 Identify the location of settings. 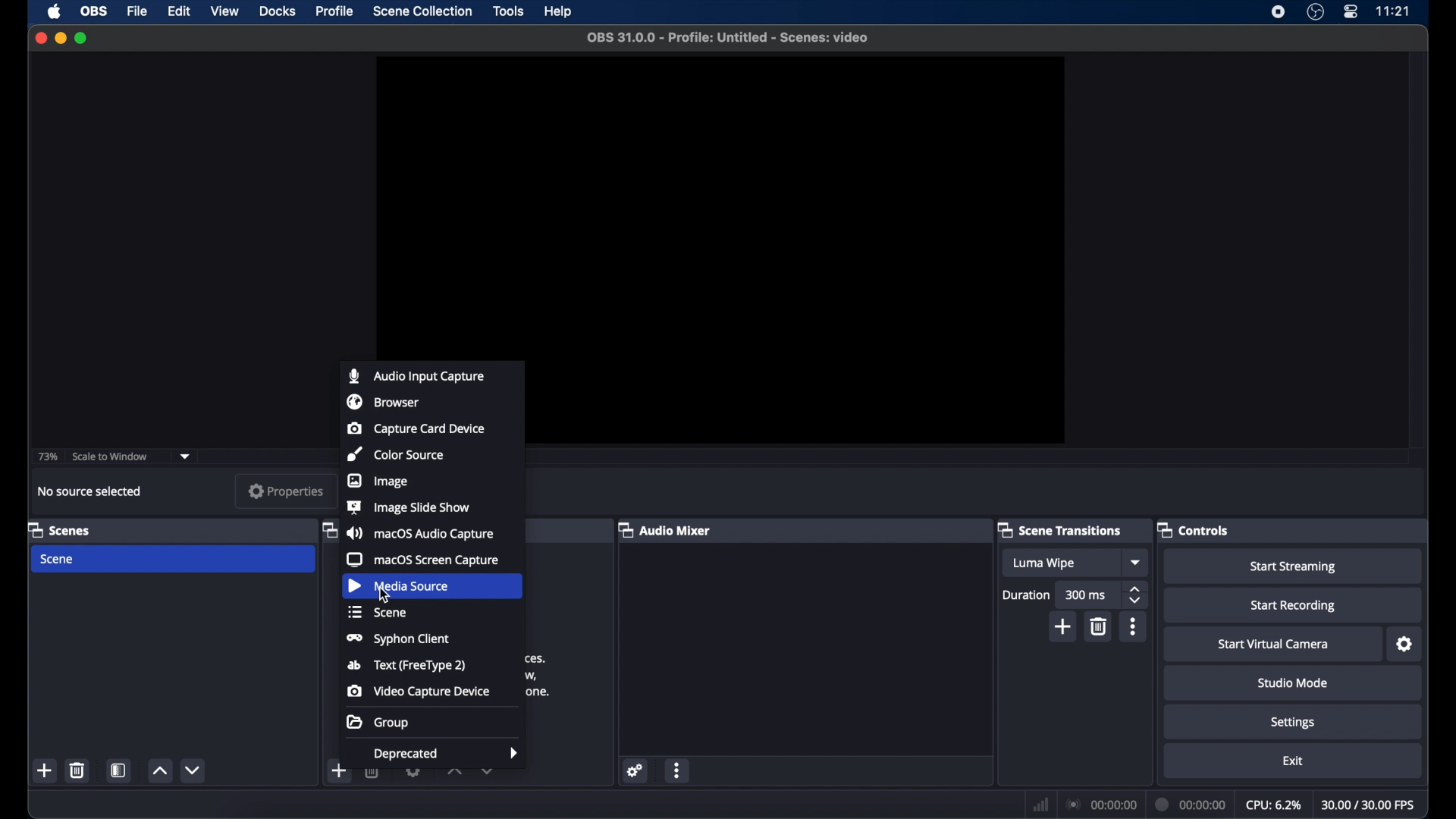
(414, 770).